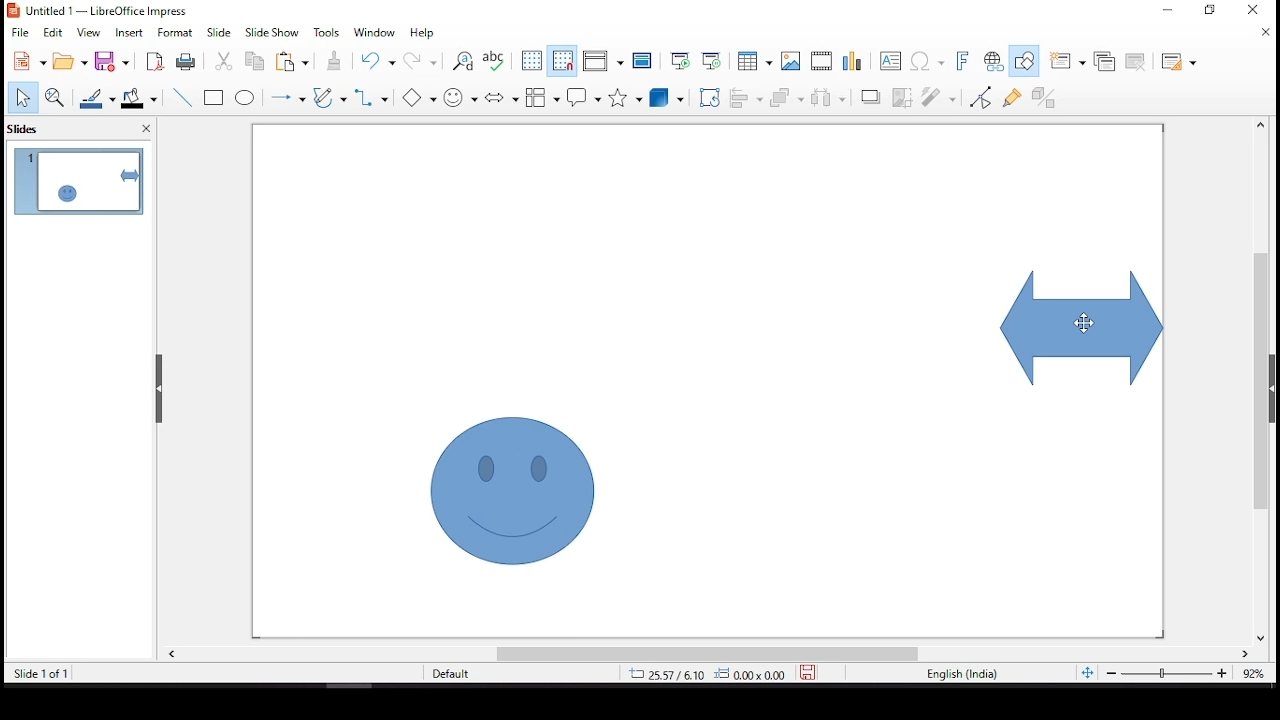  What do you see at coordinates (463, 96) in the screenshot?
I see `symbol shapes` at bounding box center [463, 96].